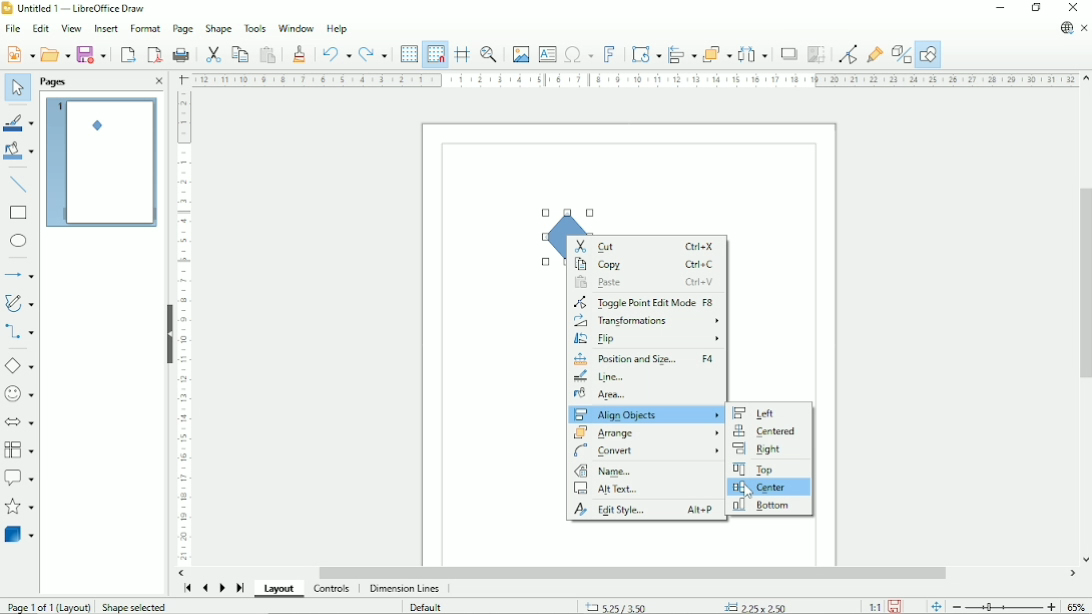 This screenshot has width=1092, height=614. Describe the element at coordinates (578, 54) in the screenshot. I see `Insert special characters` at that location.